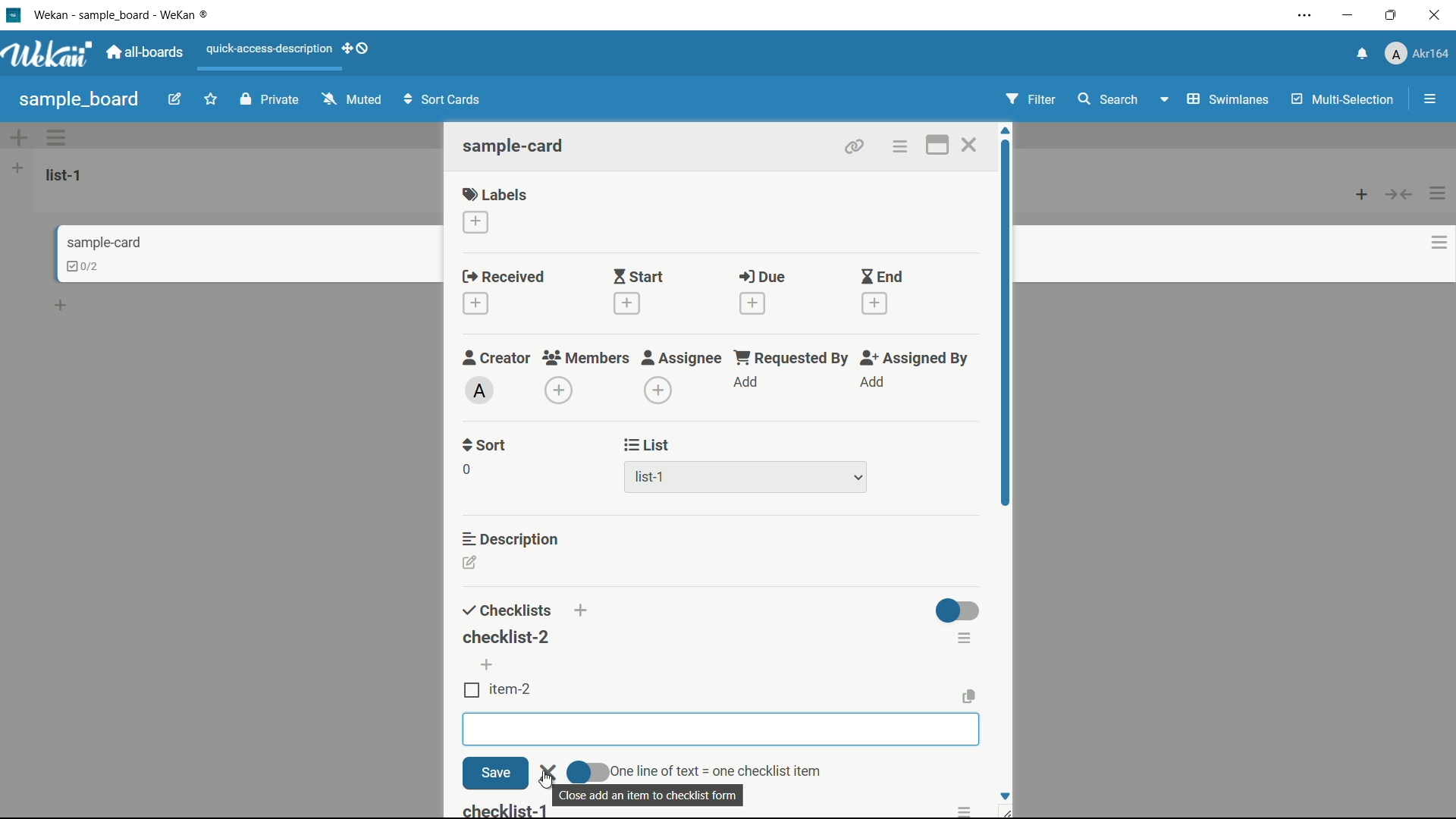  What do you see at coordinates (1007, 378) in the screenshot?
I see `scroll bar` at bounding box center [1007, 378].